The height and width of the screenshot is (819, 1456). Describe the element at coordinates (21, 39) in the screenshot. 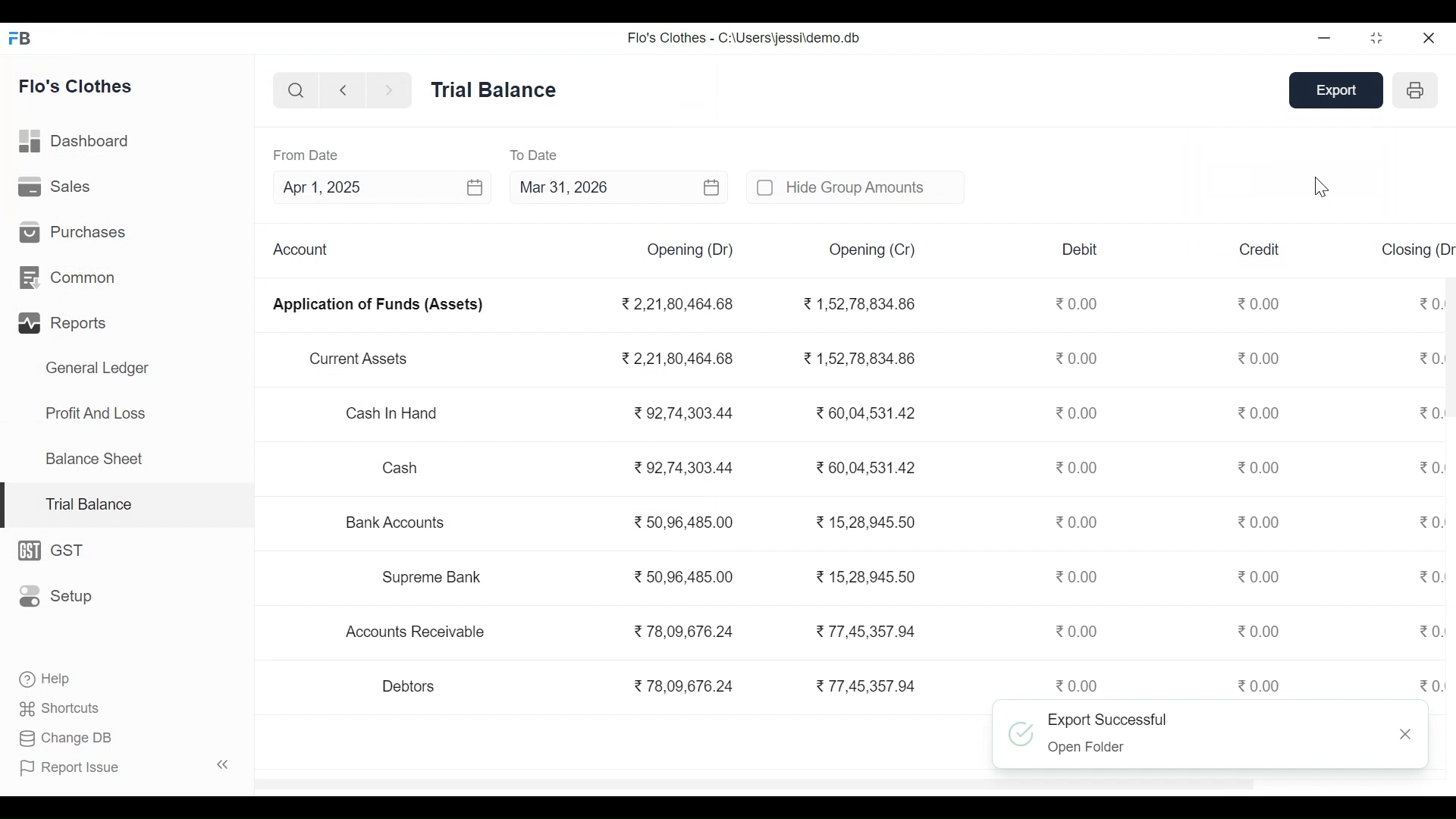

I see `Frappe Books Desktop icon` at that location.